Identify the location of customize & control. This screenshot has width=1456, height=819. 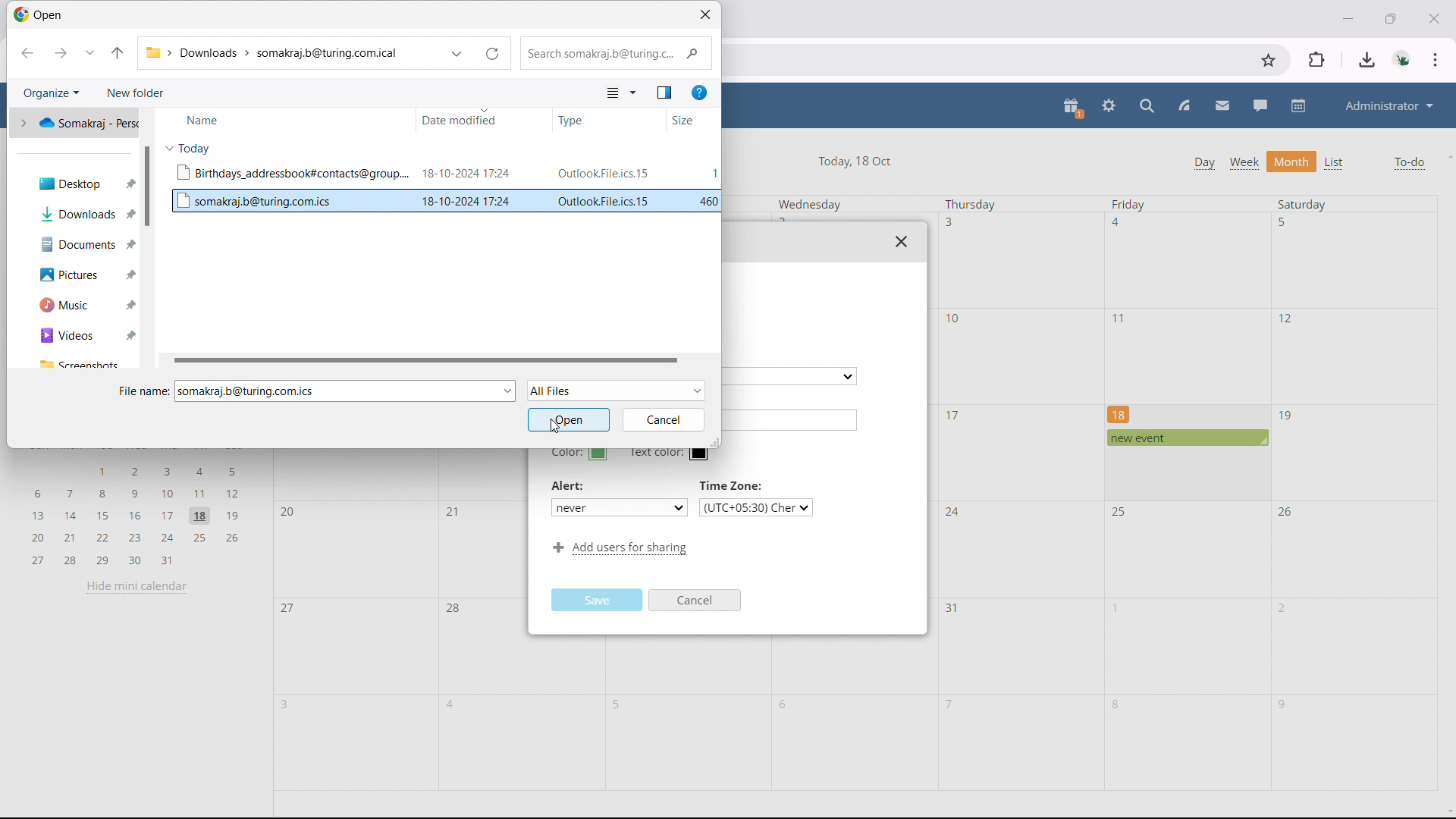
(1436, 60).